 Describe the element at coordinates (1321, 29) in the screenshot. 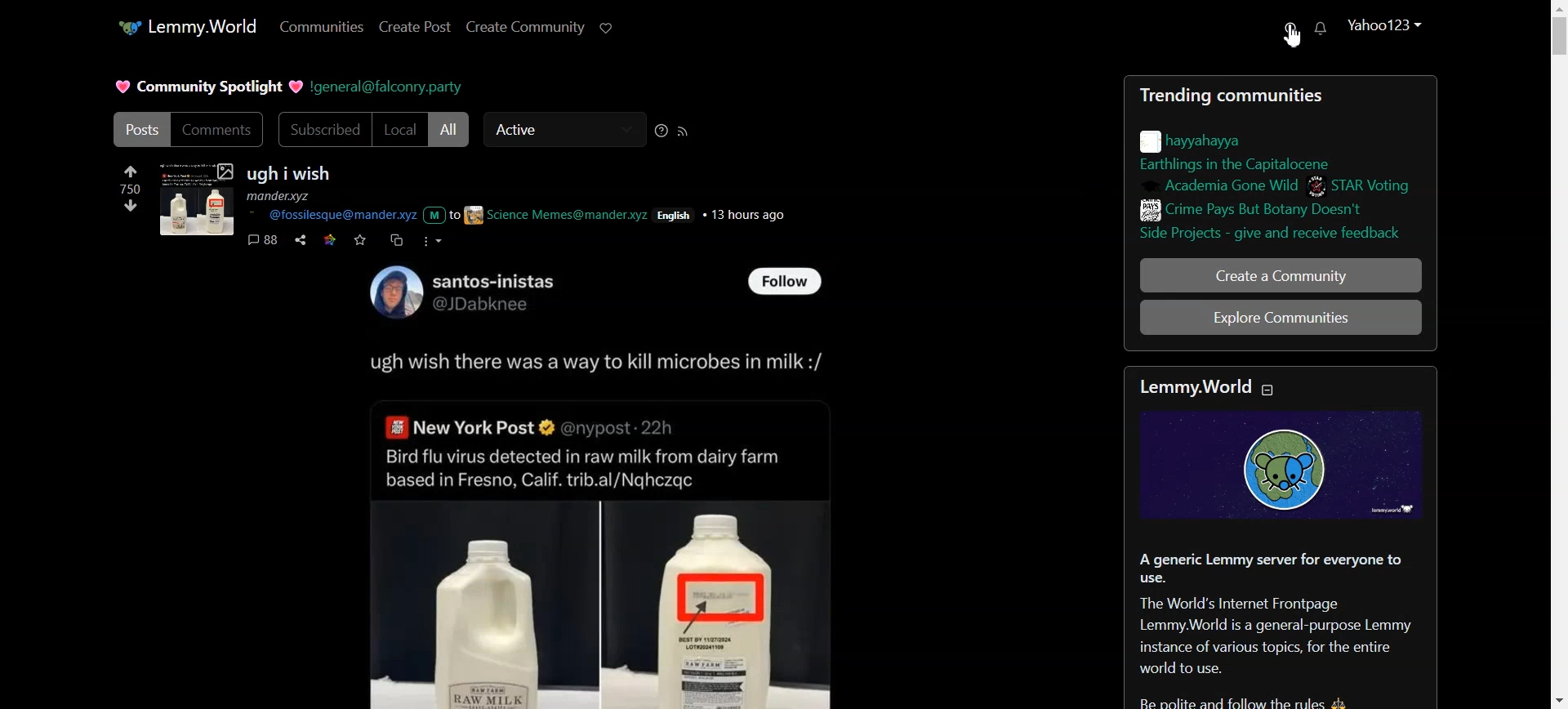

I see `Unread Message` at that location.